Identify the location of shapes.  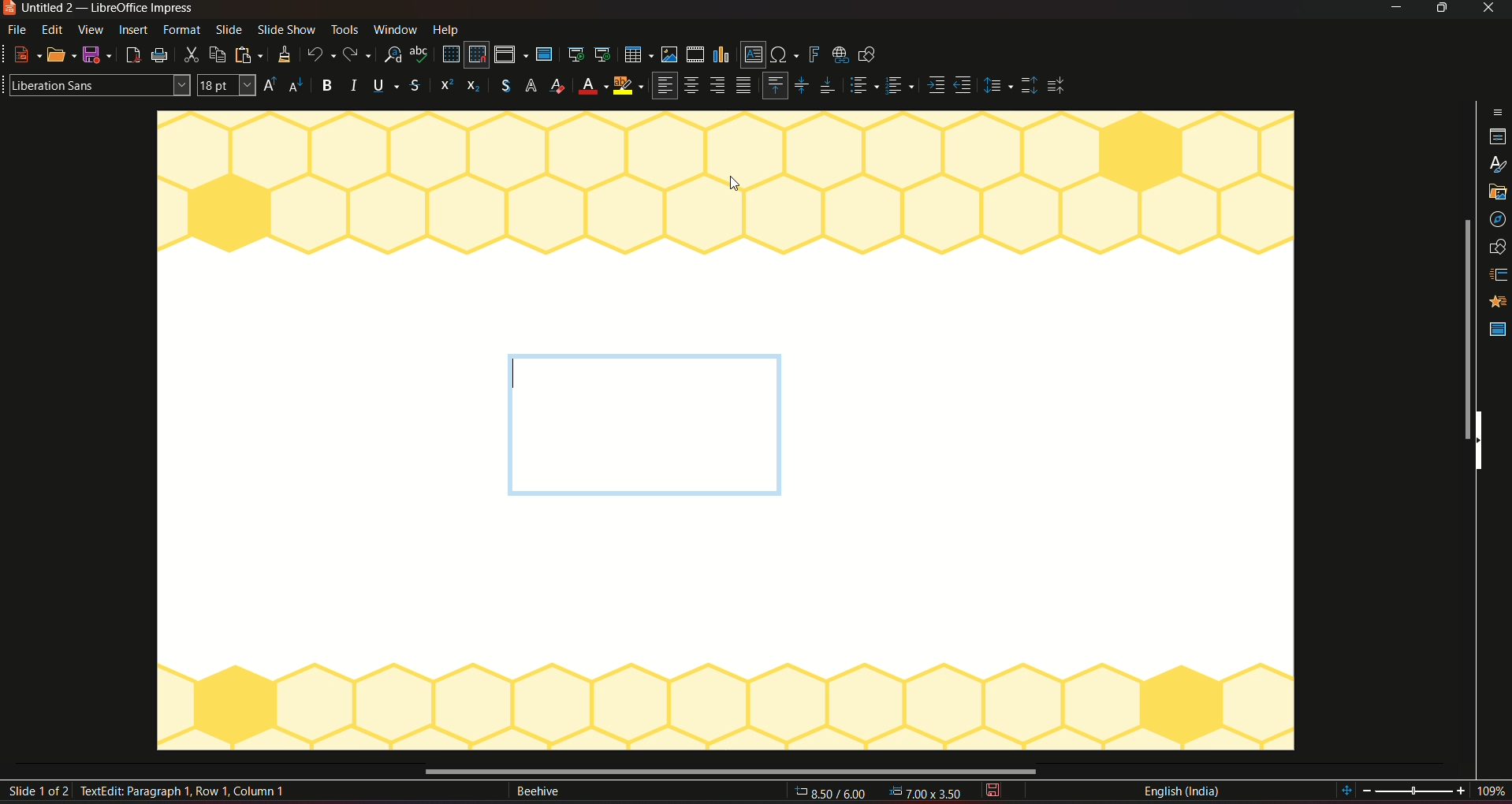
(1499, 216).